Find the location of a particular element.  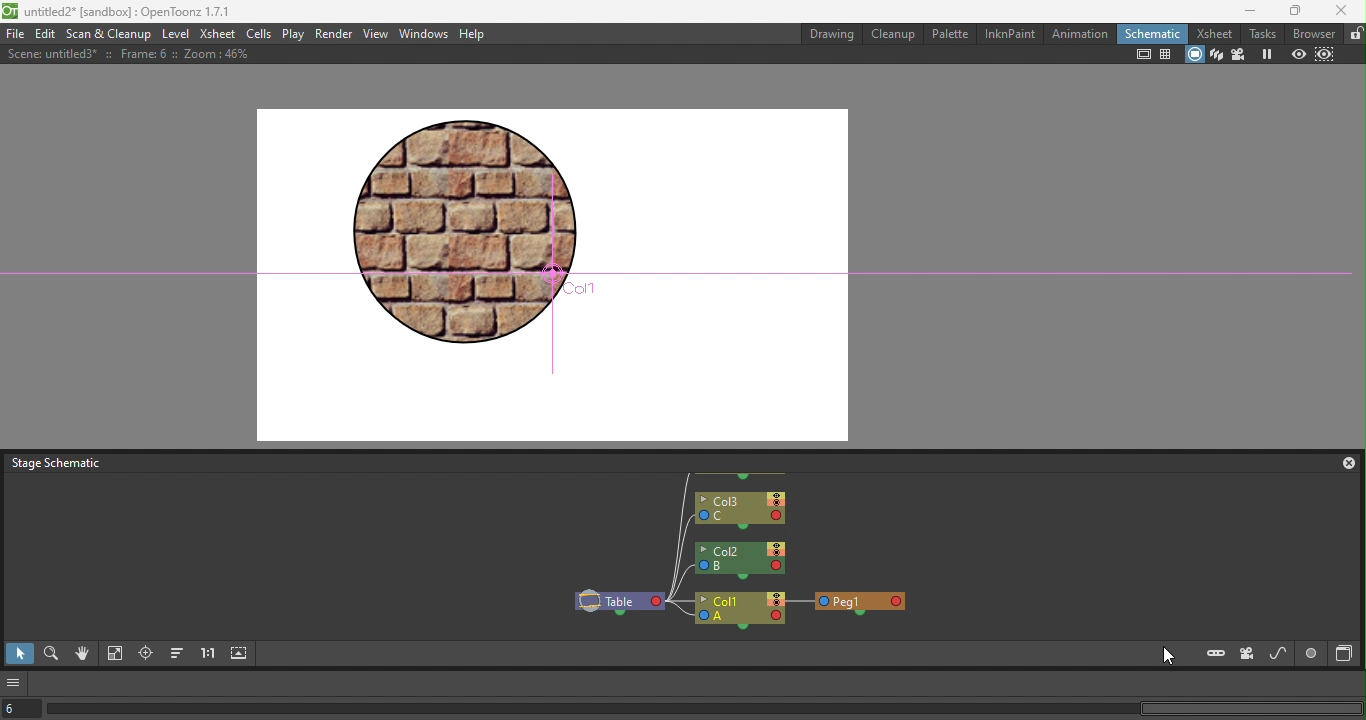

Stage schematic is located at coordinates (58, 462).